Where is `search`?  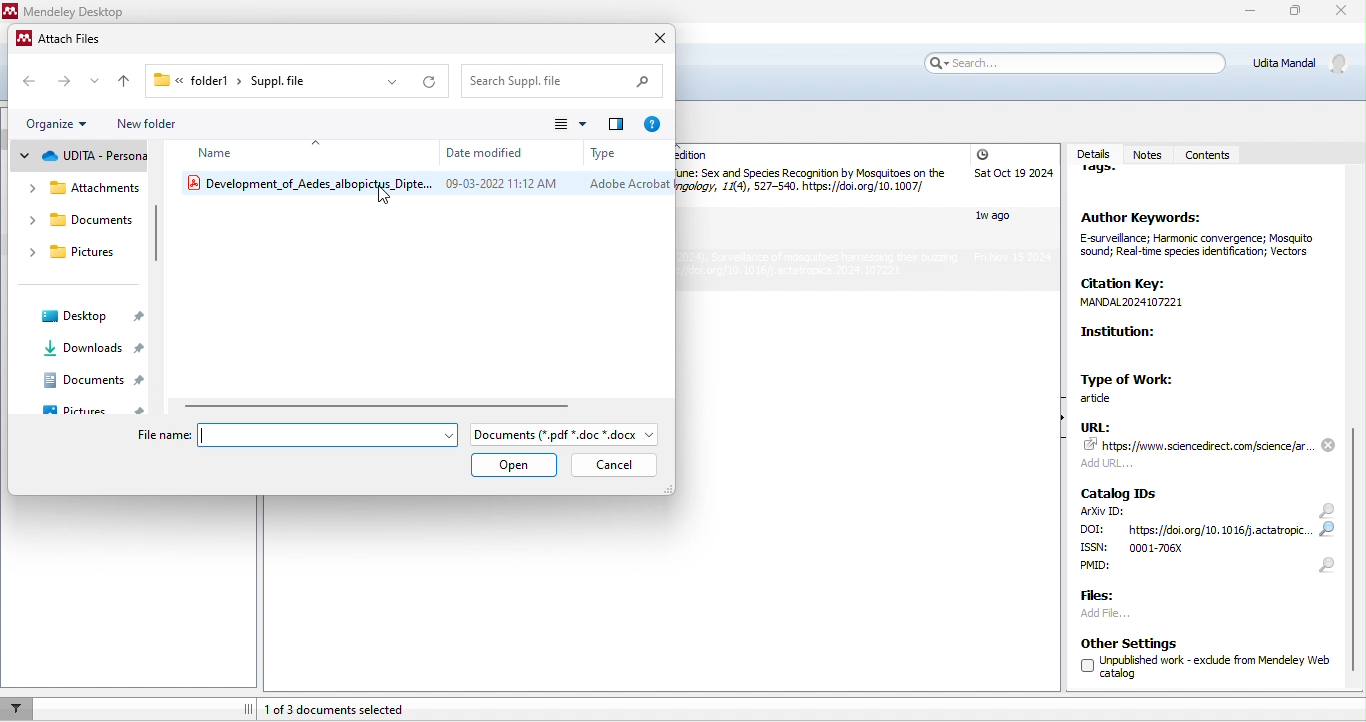
search is located at coordinates (1325, 538).